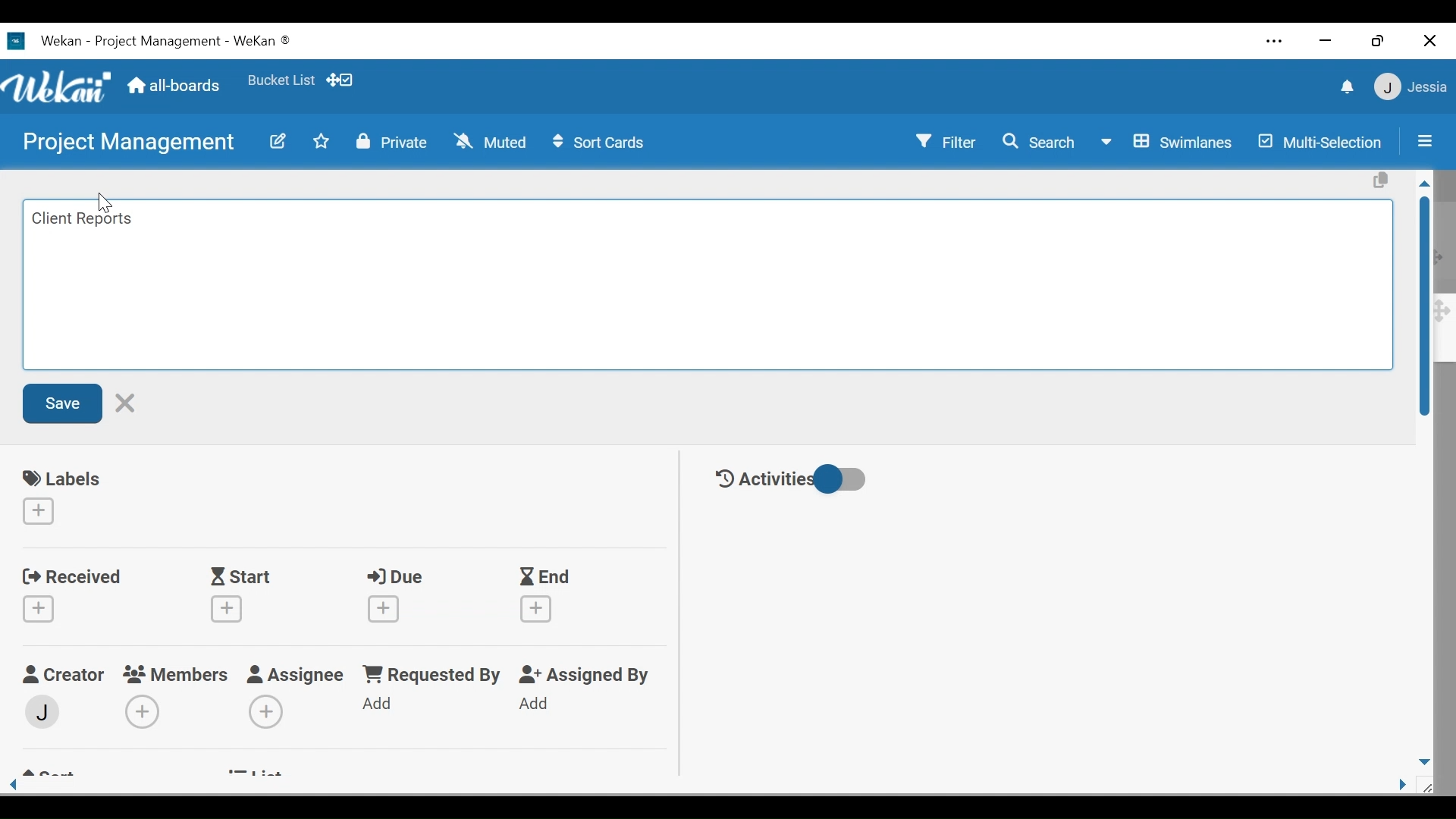 Image resolution: width=1456 pixels, height=819 pixels. Describe the element at coordinates (243, 576) in the screenshot. I see `Start Date` at that location.